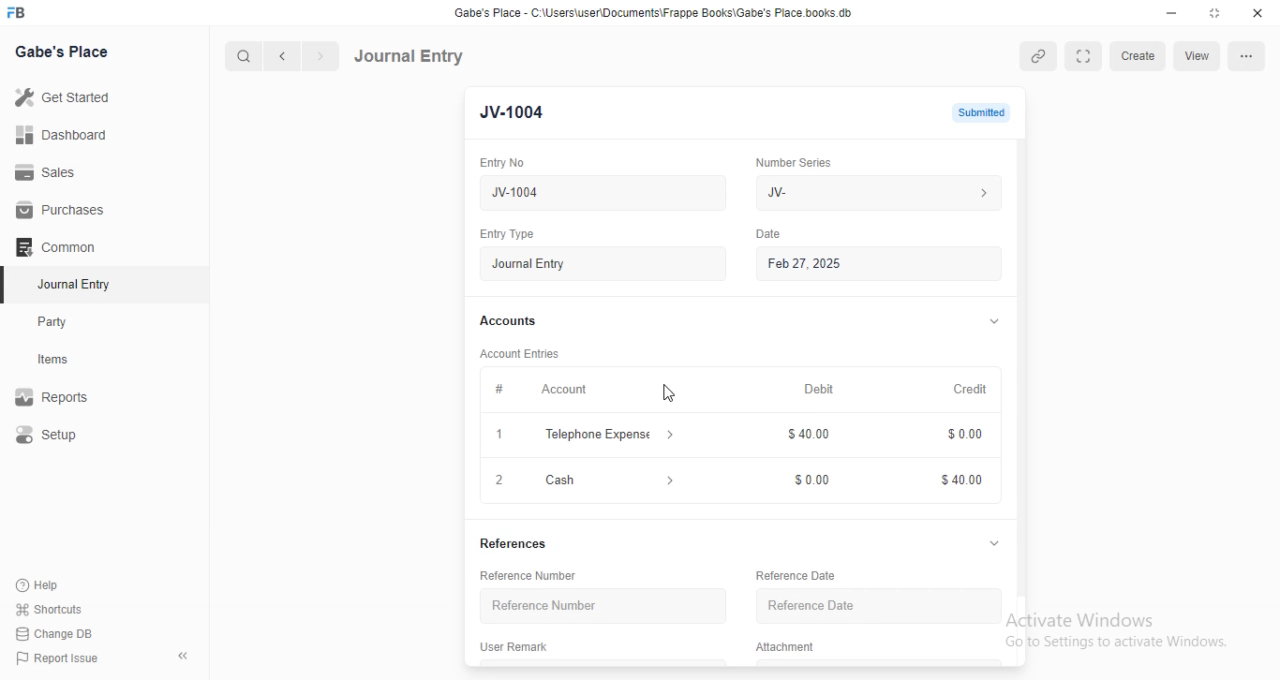  What do you see at coordinates (412, 55) in the screenshot?
I see `Journal Entry` at bounding box center [412, 55].